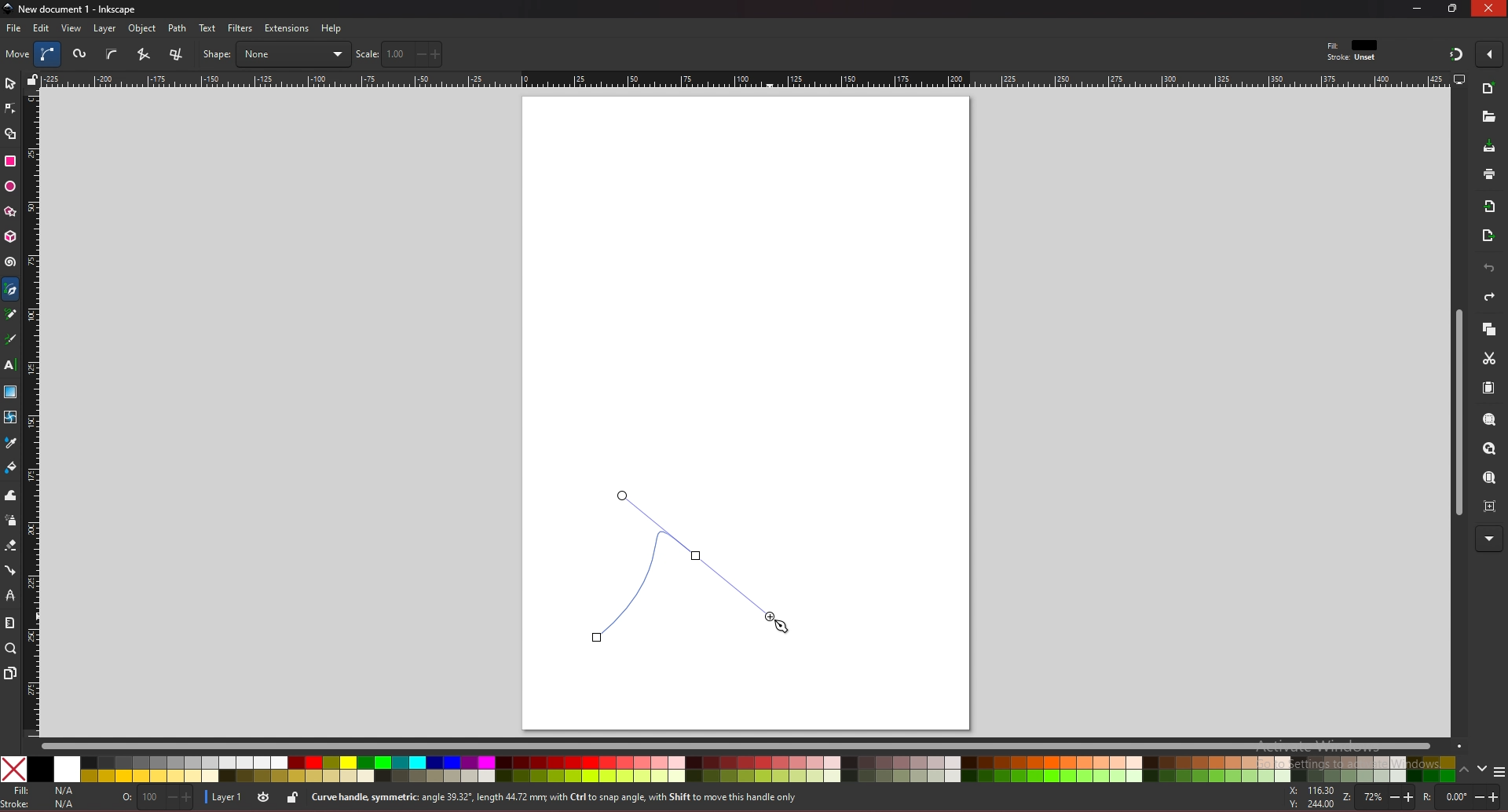 This screenshot has height=812, width=1508. What do you see at coordinates (1489, 269) in the screenshot?
I see `undo` at bounding box center [1489, 269].